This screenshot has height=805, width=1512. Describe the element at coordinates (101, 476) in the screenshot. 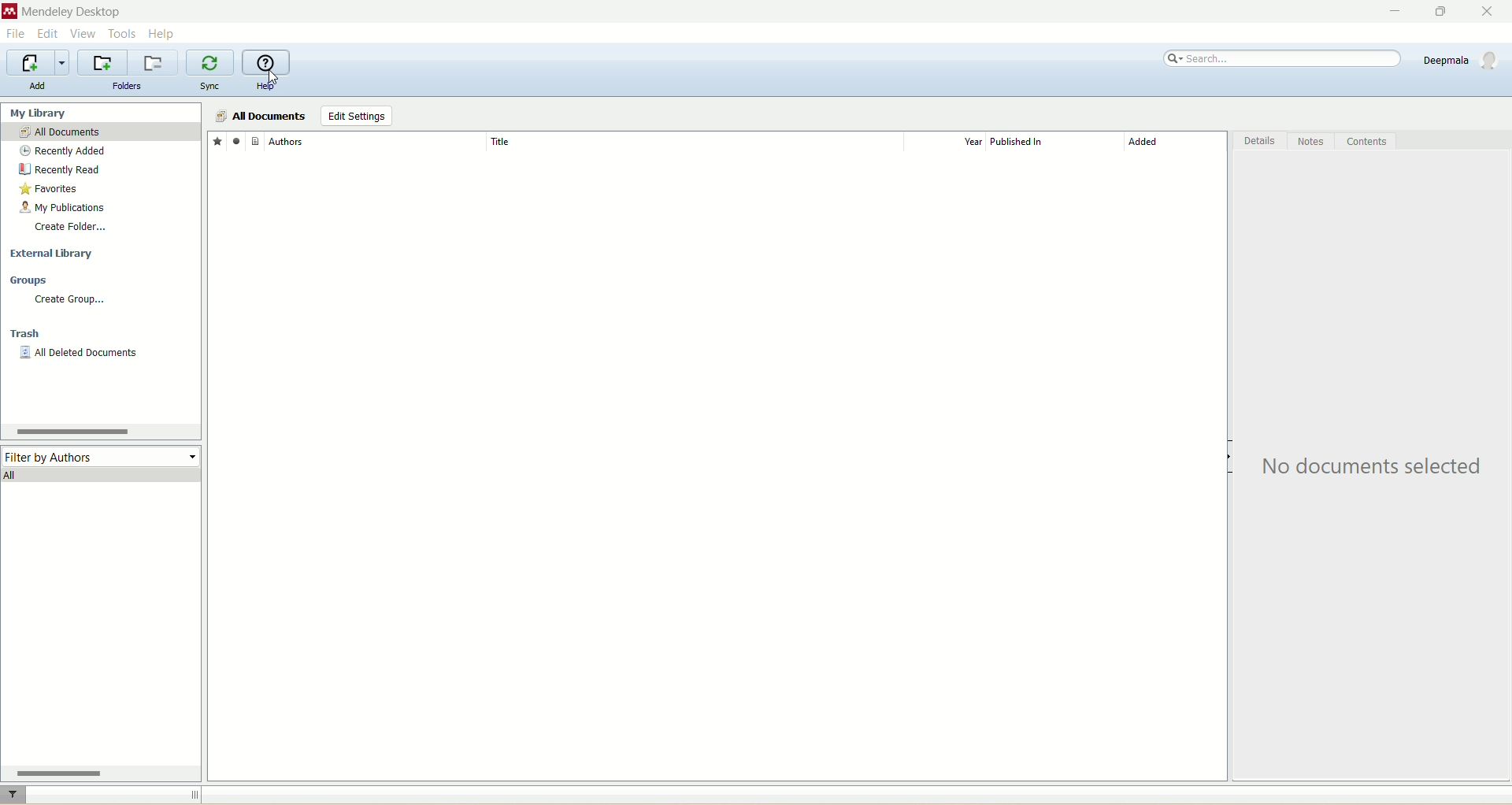

I see `all` at that location.